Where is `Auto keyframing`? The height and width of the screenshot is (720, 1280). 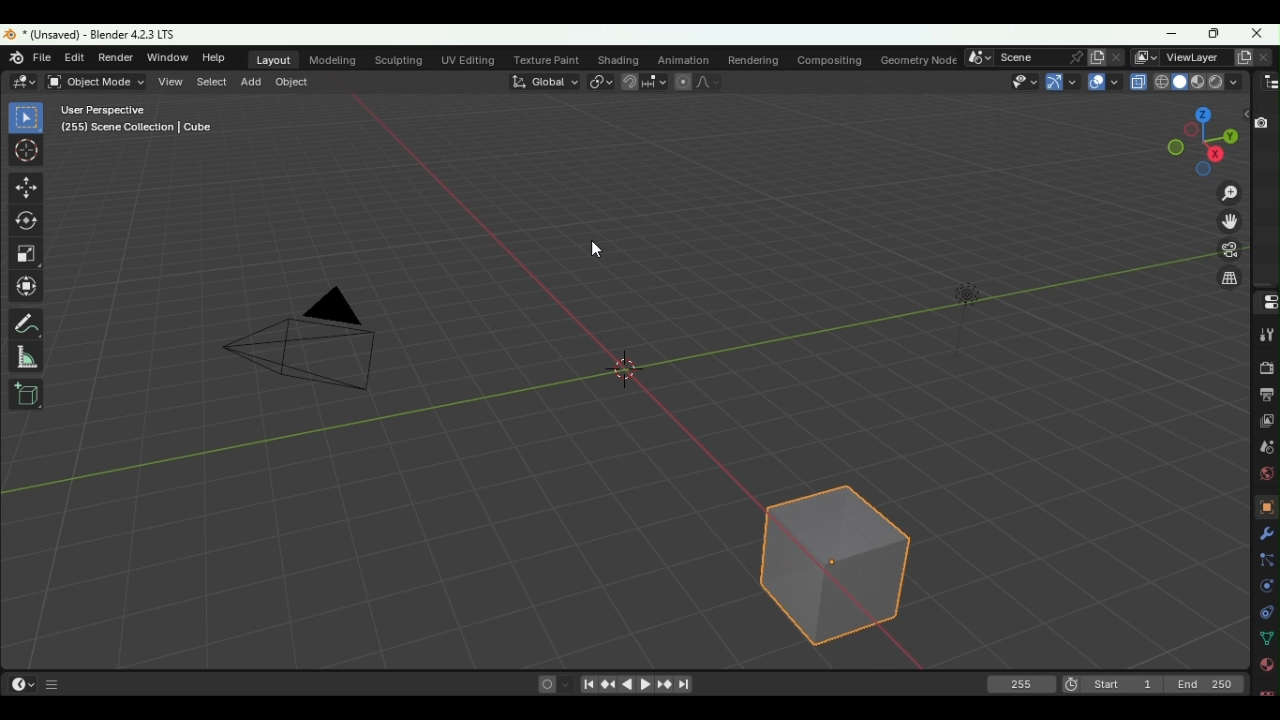
Auto keyframing is located at coordinates (567, 683).